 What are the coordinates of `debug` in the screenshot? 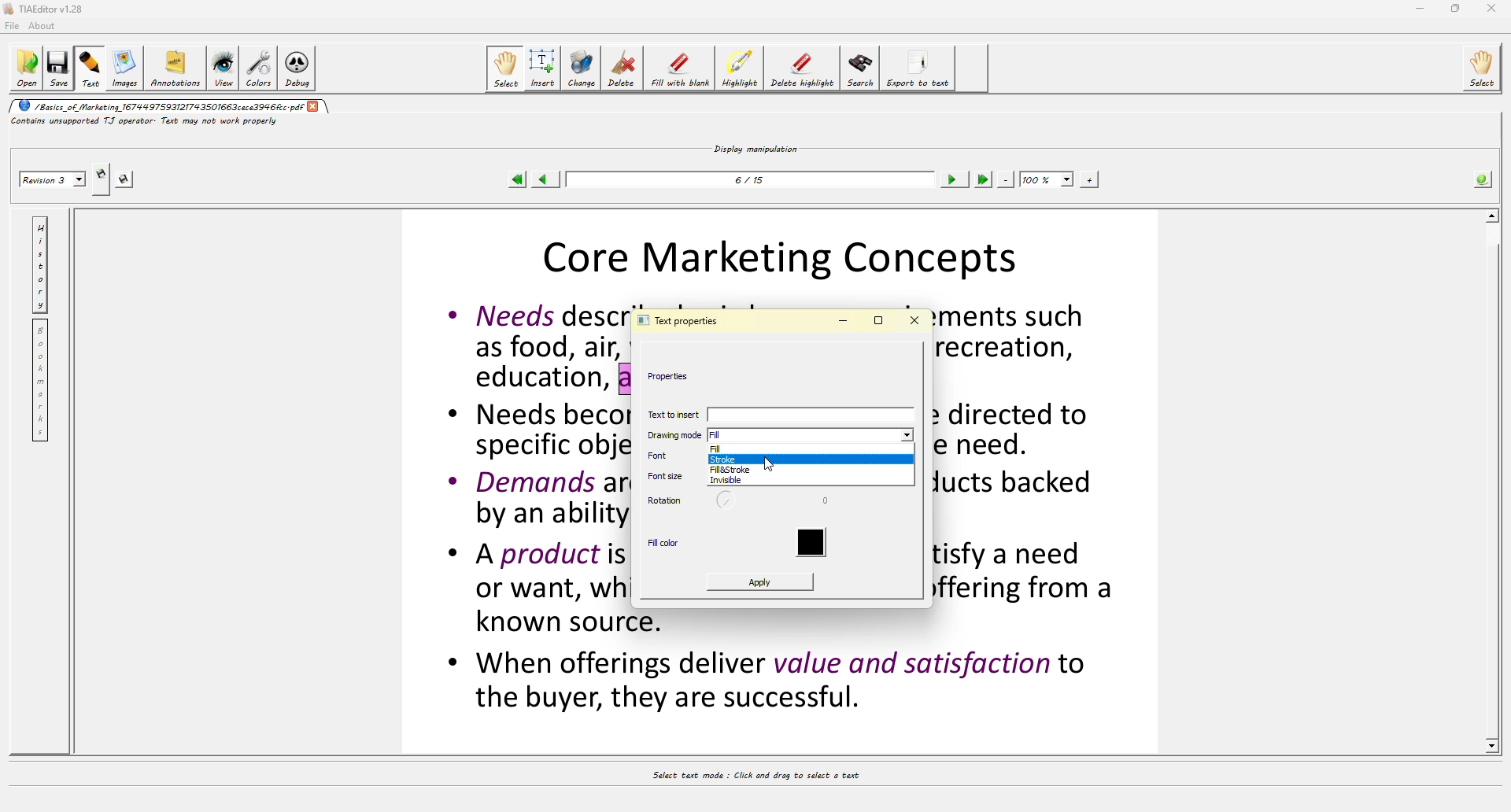 It's located at (295, 71).